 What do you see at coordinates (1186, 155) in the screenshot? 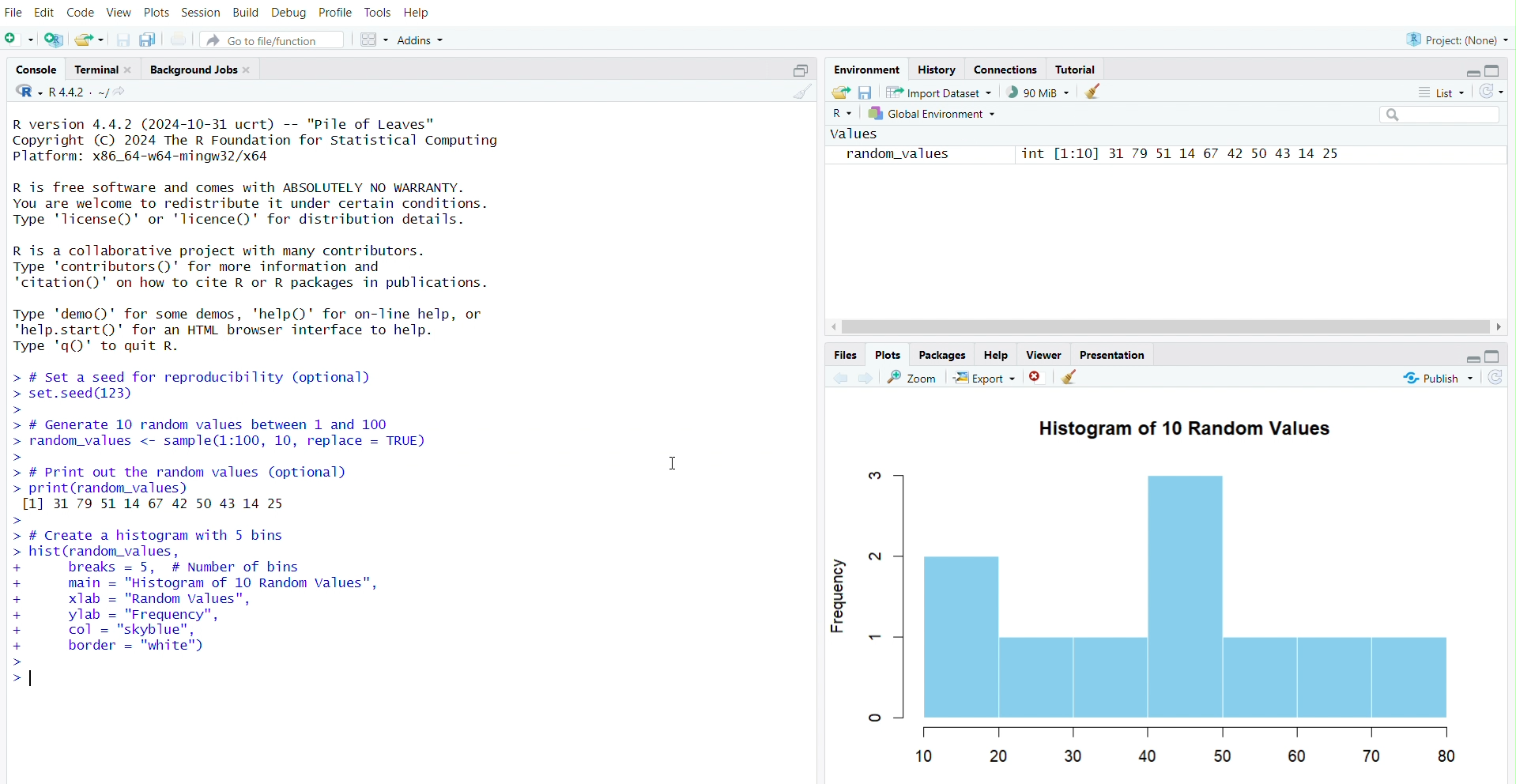
I see `int [1:10] 31 79 51 14 67 42 50 43 14 25` at bounding box center [1186, 155].